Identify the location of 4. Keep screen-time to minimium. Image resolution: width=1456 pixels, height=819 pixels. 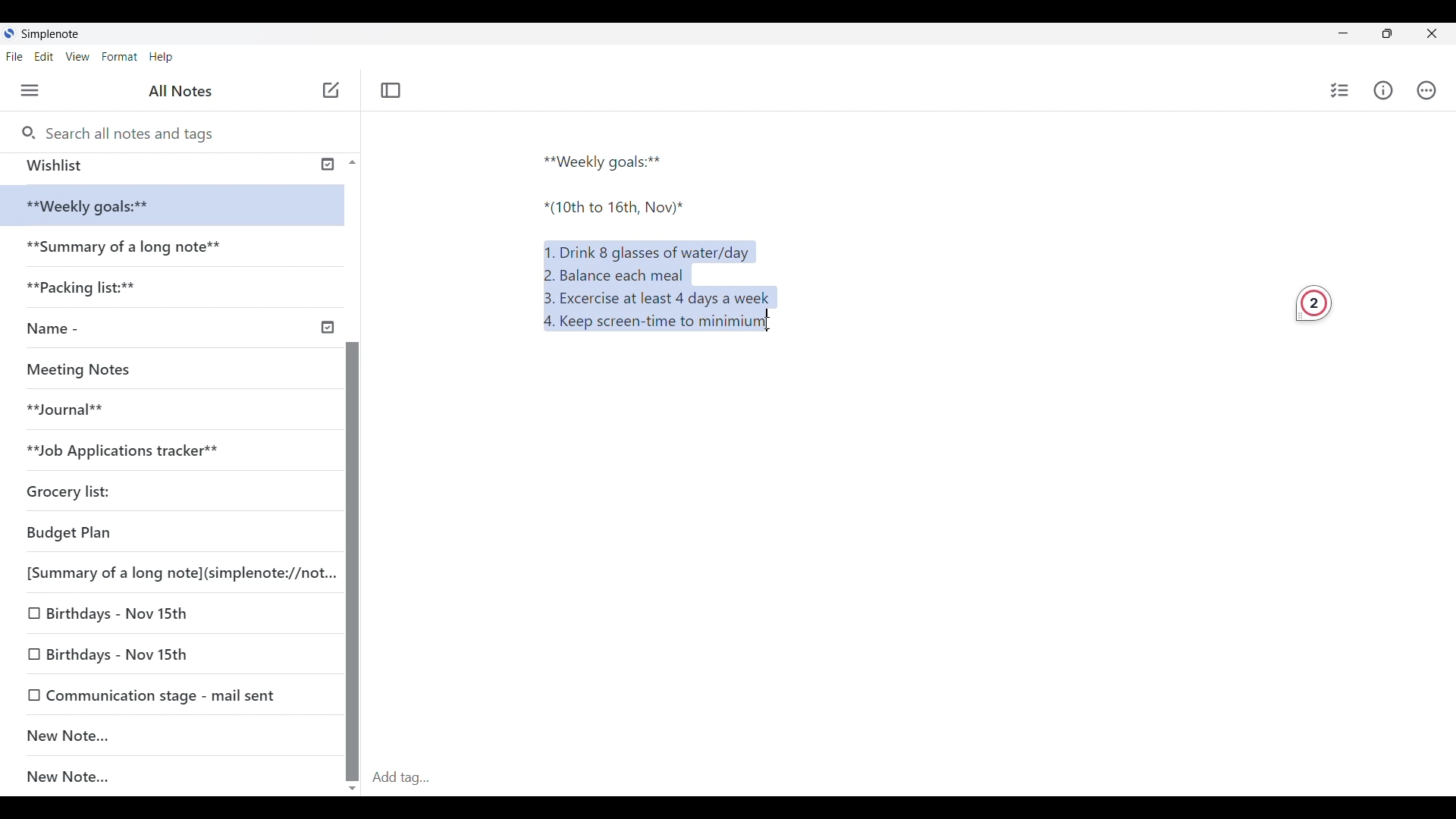
(651, 325).